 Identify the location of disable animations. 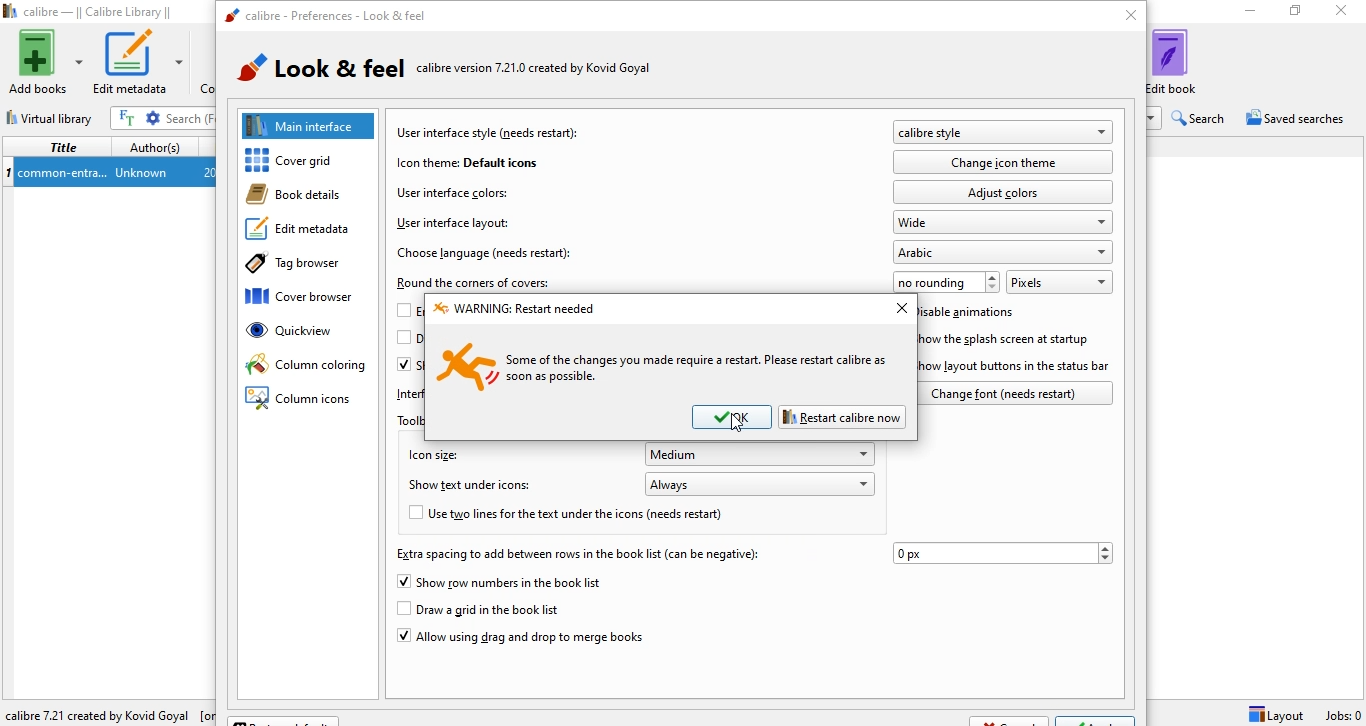
(975, 313).